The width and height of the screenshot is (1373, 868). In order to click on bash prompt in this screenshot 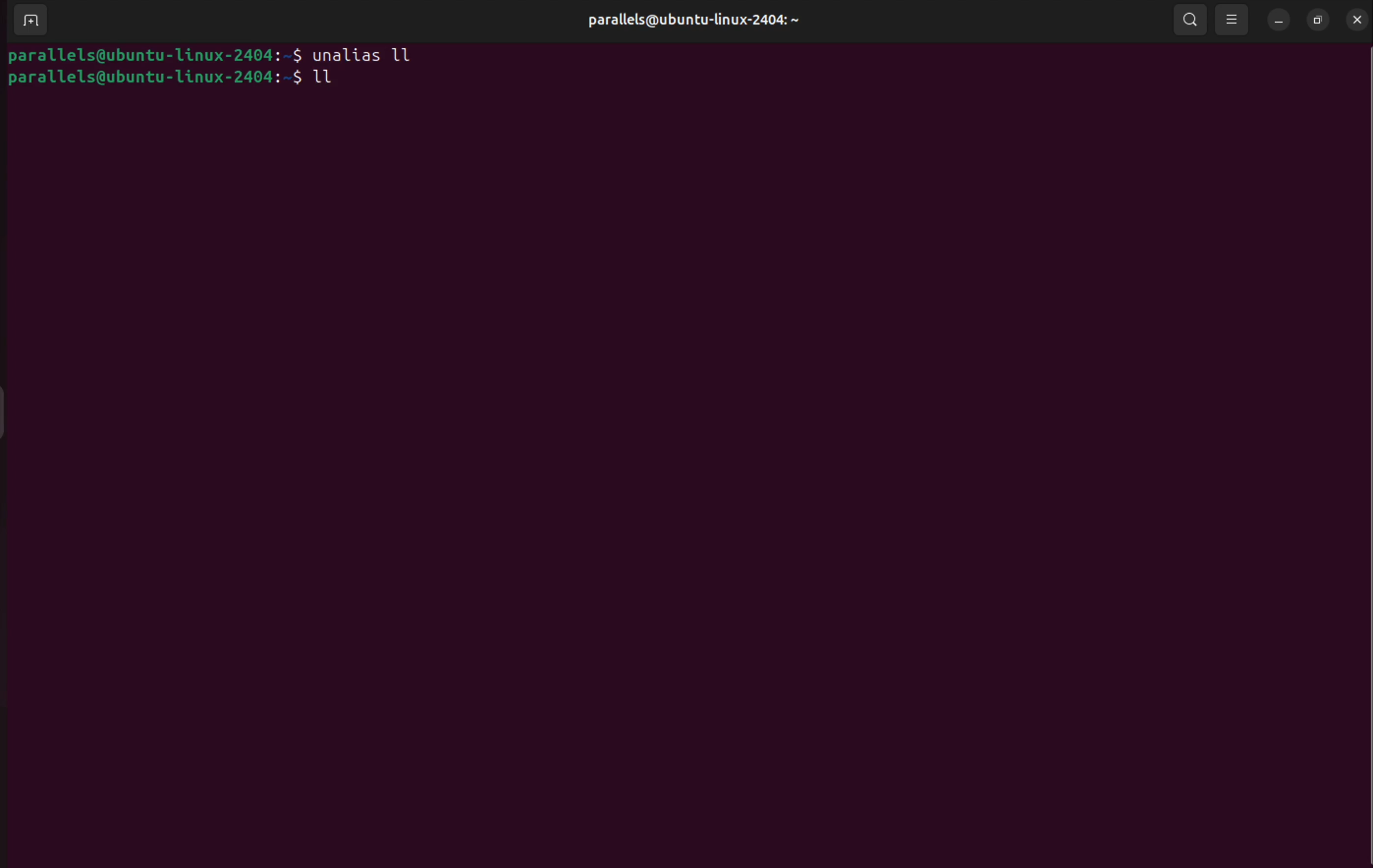, I will do `click(153, 52)`.